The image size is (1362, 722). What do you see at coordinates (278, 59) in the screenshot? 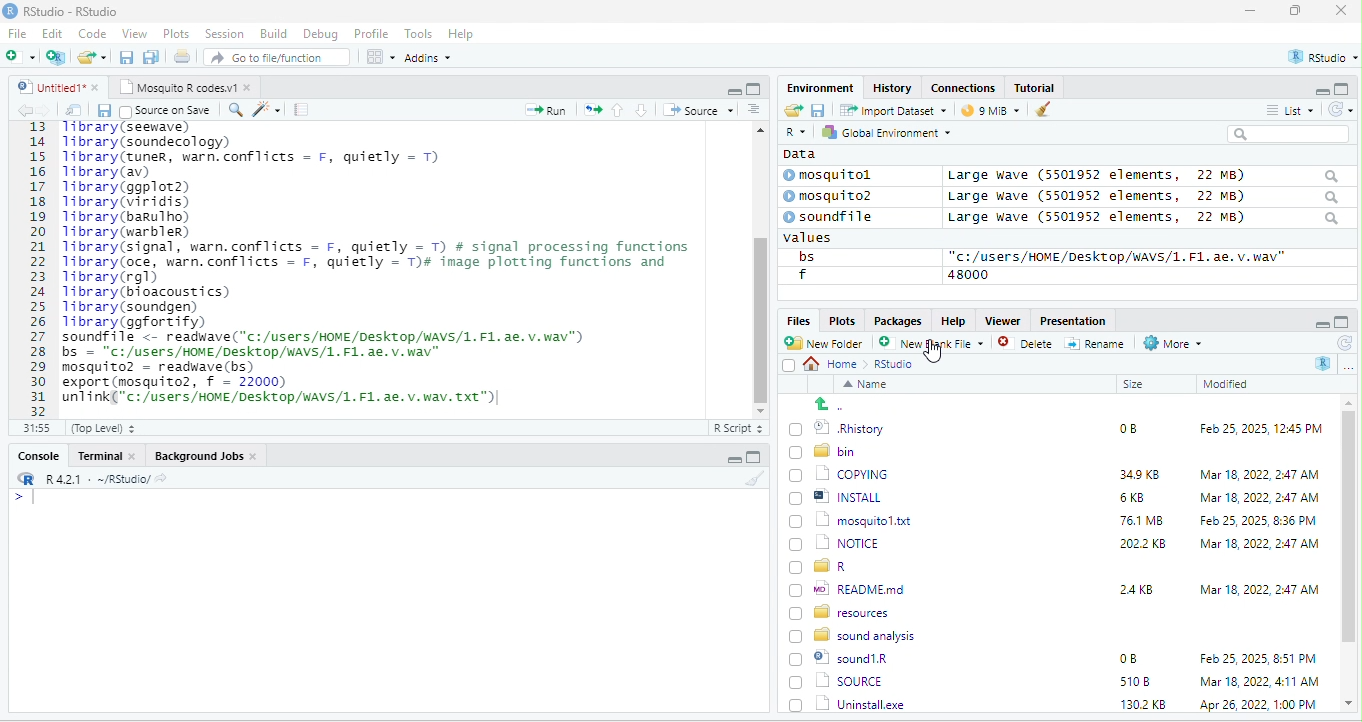
I see `” Go to file/function` at bounding box center [278, 59].